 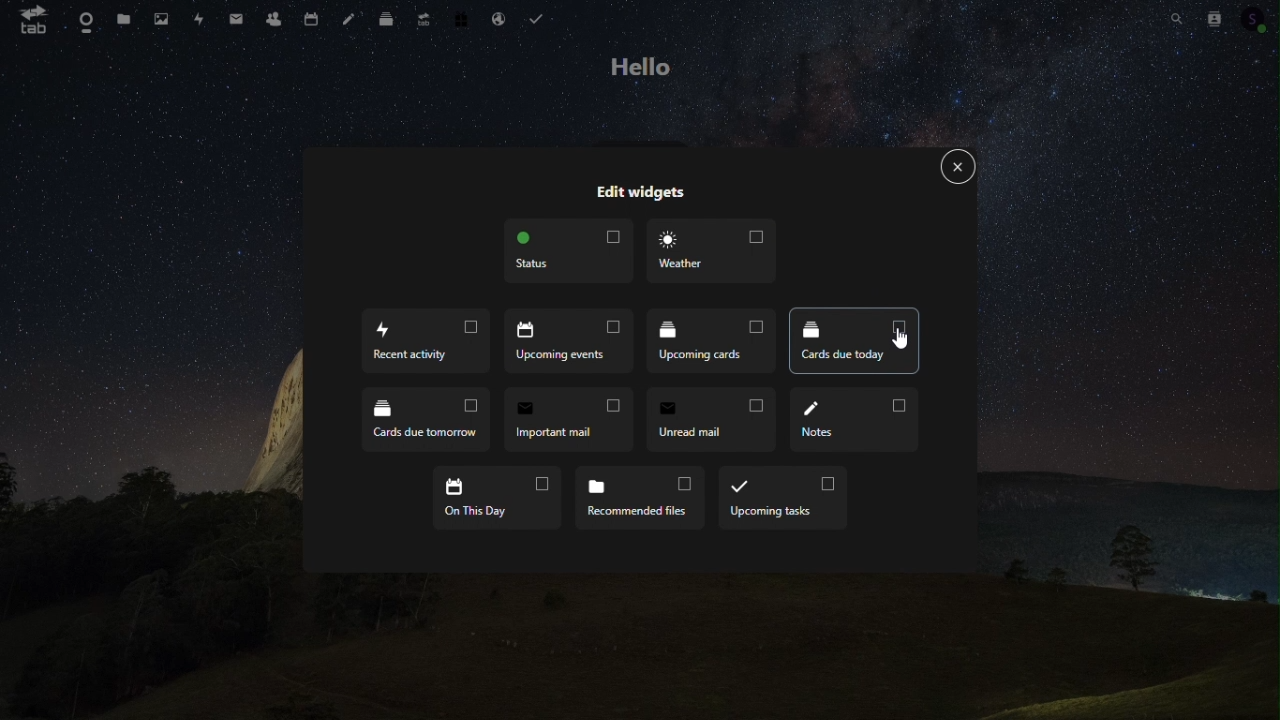 I want to click on Upgrade, so click(x=425, y=19).